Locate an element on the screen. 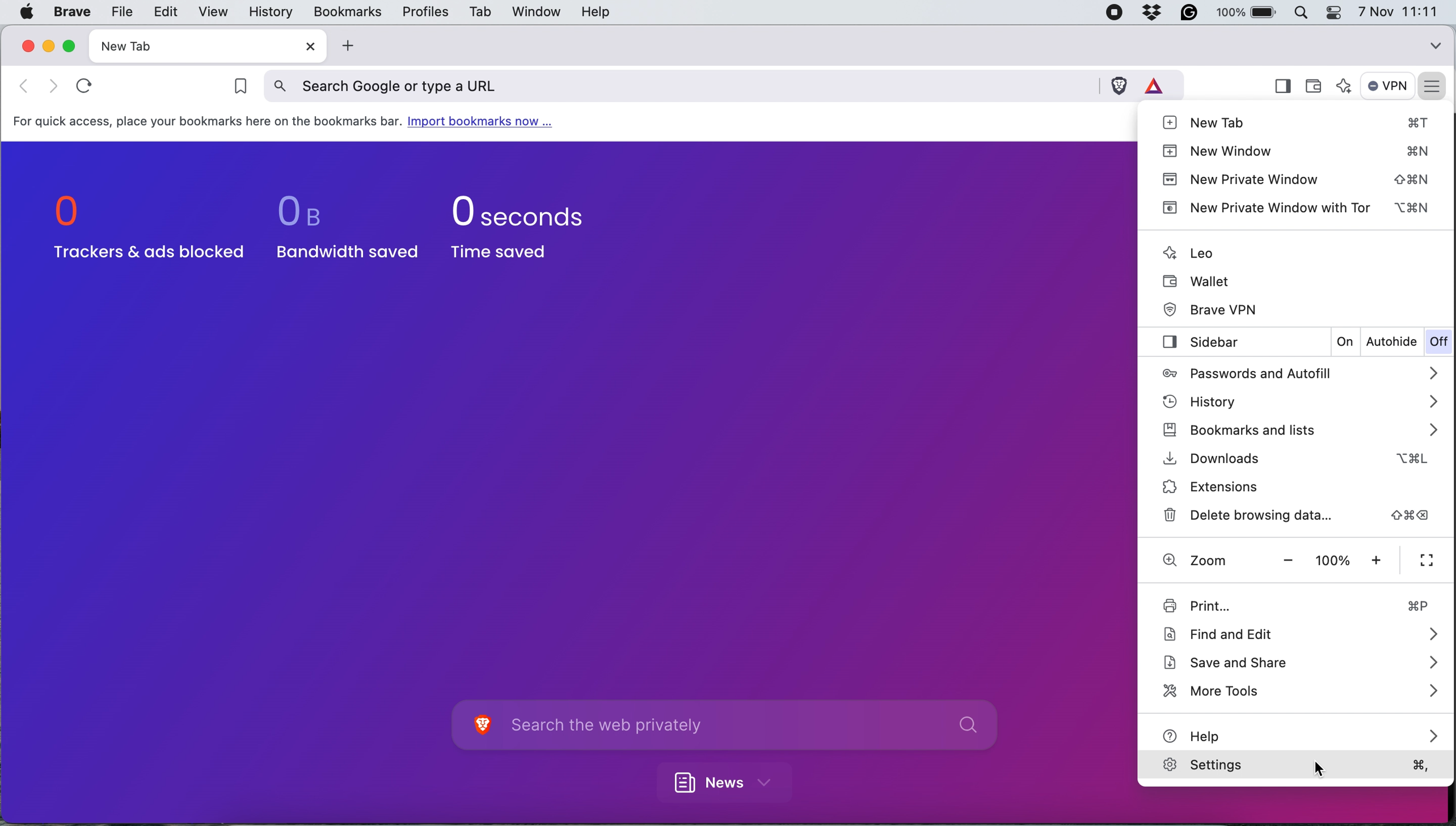  add new tab is located at coordinates (345, 46).